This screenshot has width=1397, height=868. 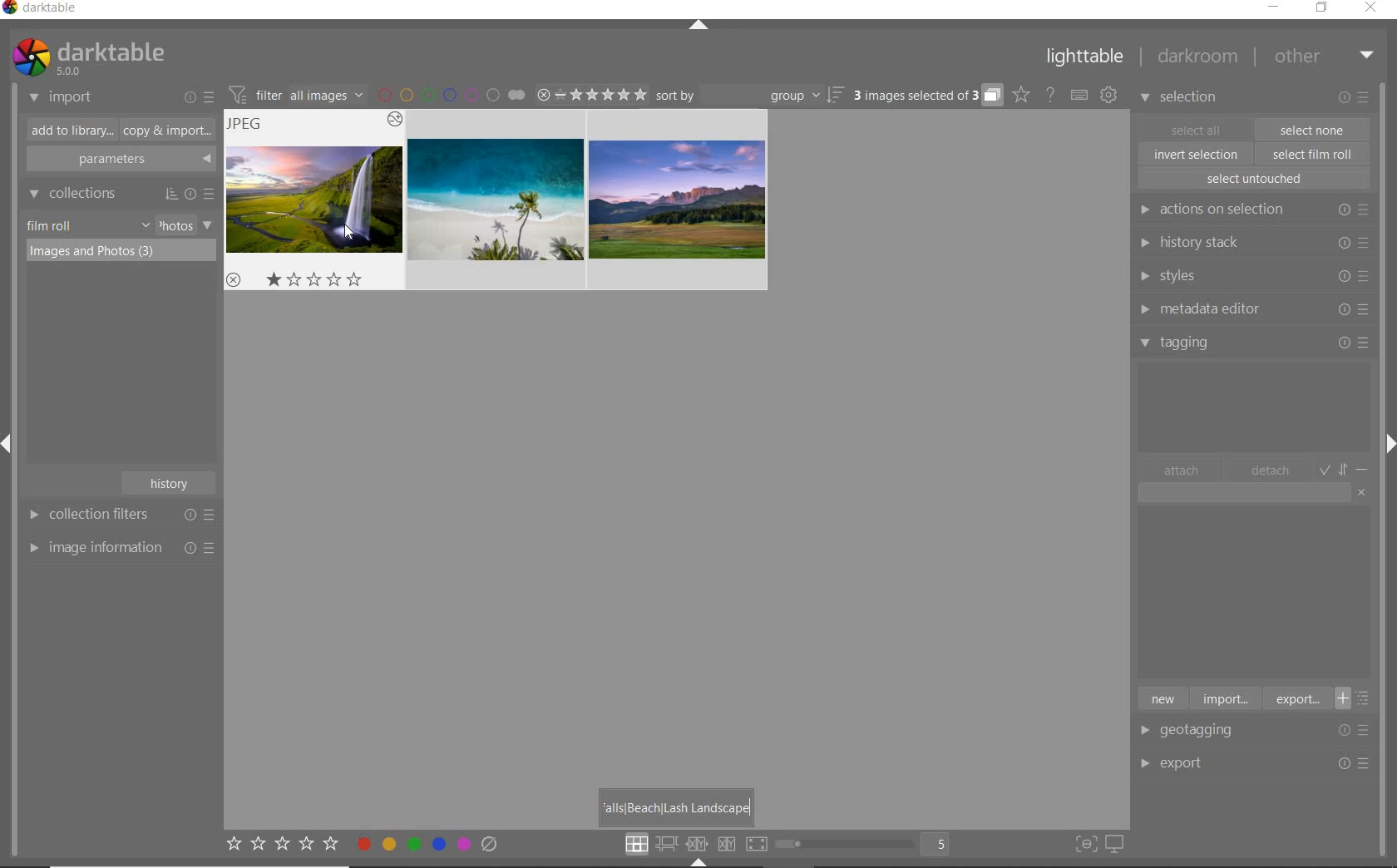 What do you see at coordinates (121, 547) in the screenshot?
I see `image information` at bounding box center [121, 547].